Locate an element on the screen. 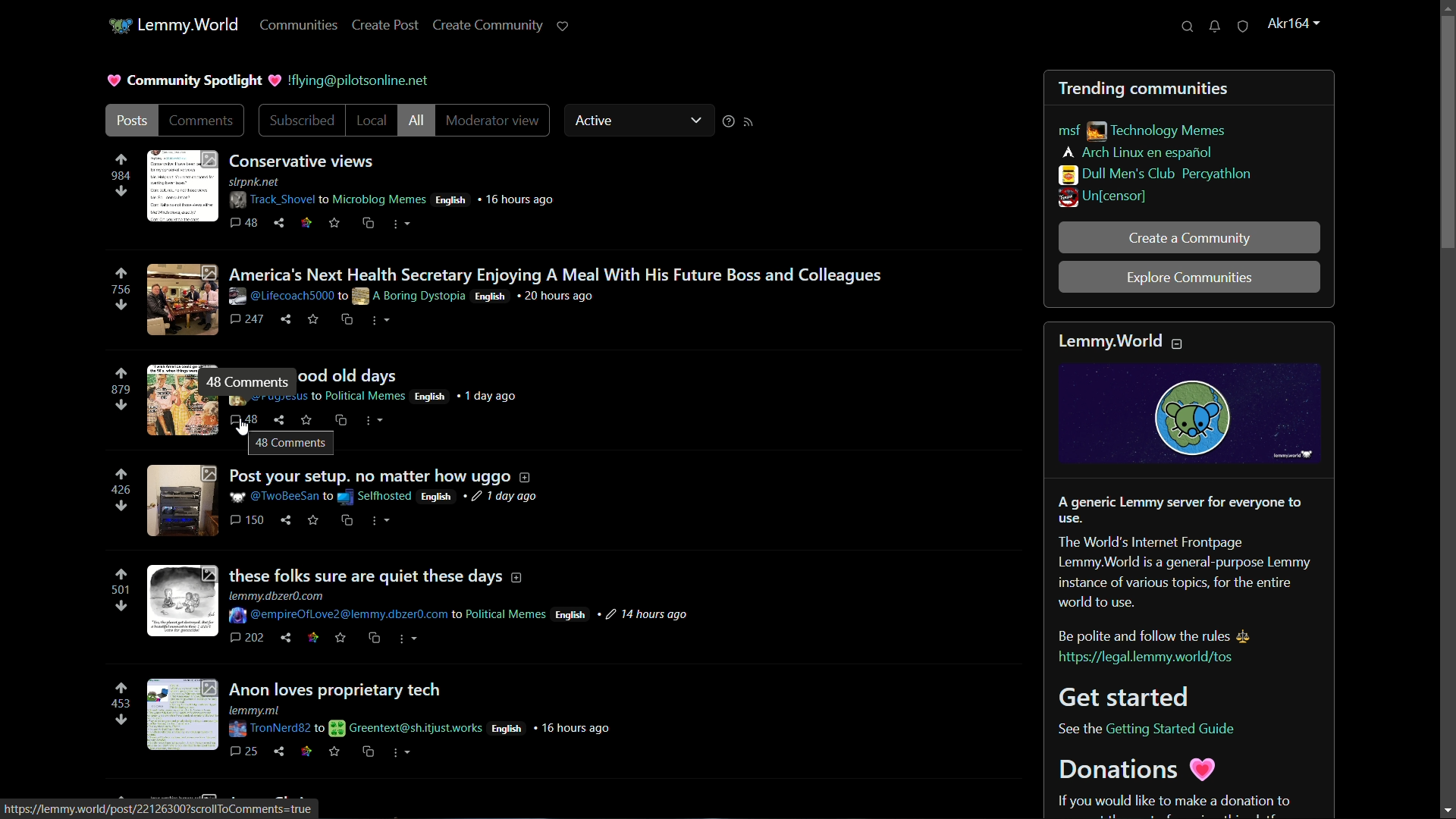 The image size is (1456, 819). downvote is located at coordinates (122, 306).